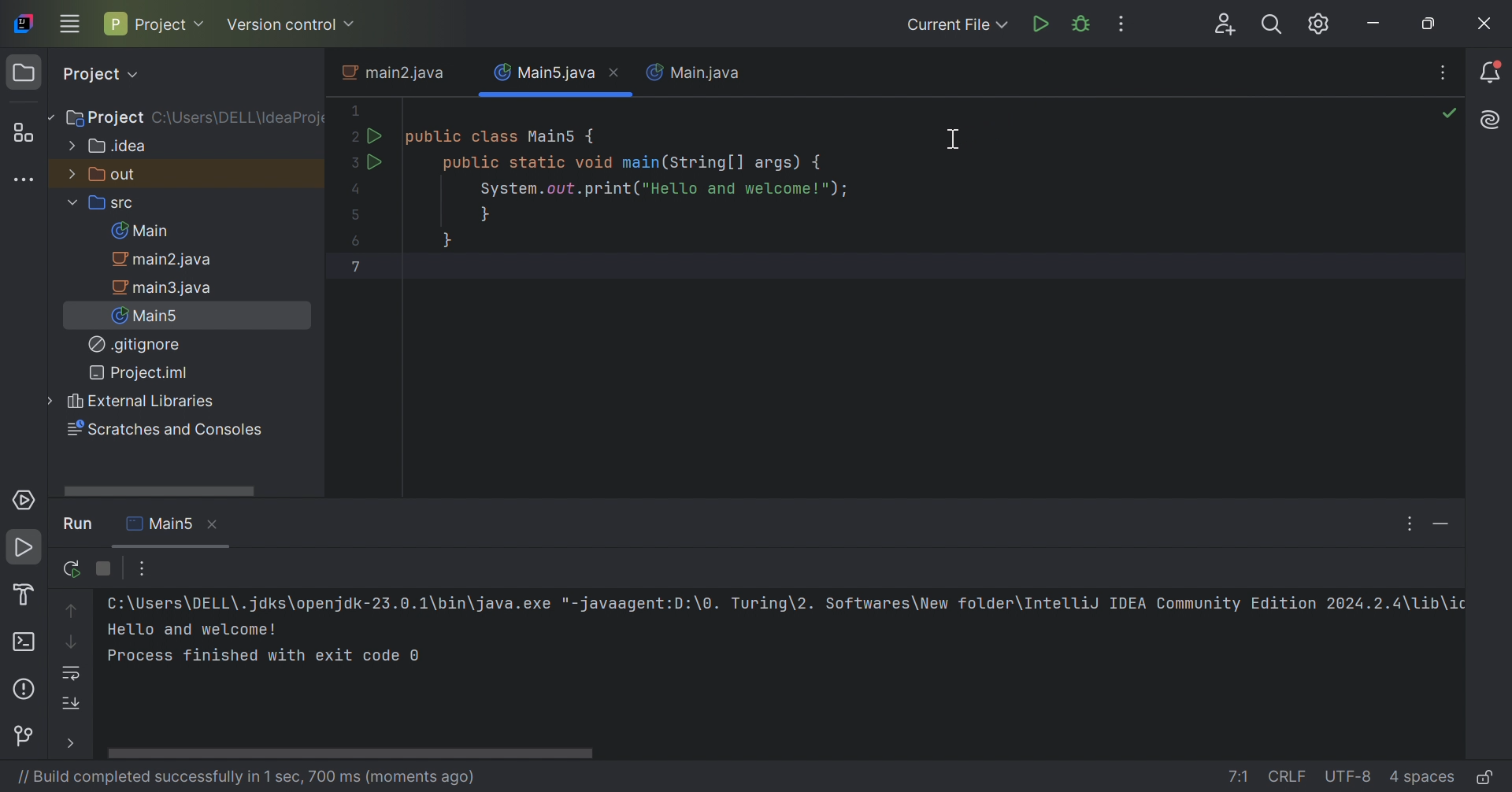 This screenshot has width=1512, height=792. I want to click on 7, so click(358, 266).